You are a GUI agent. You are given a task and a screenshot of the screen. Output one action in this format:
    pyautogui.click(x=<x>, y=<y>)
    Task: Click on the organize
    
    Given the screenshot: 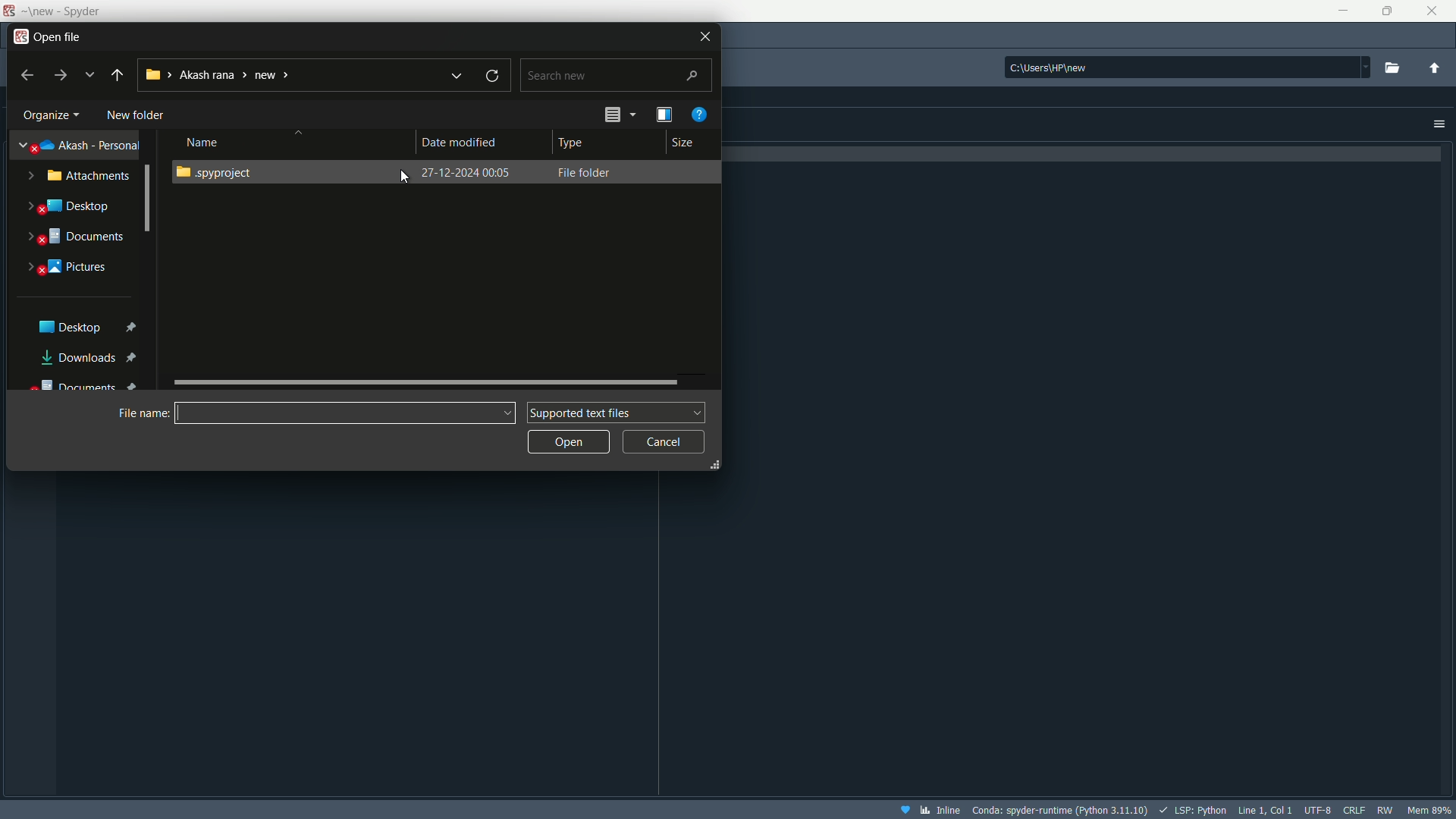 What is the action you would take?
    pyautogui.click(x=52, y=116)
    